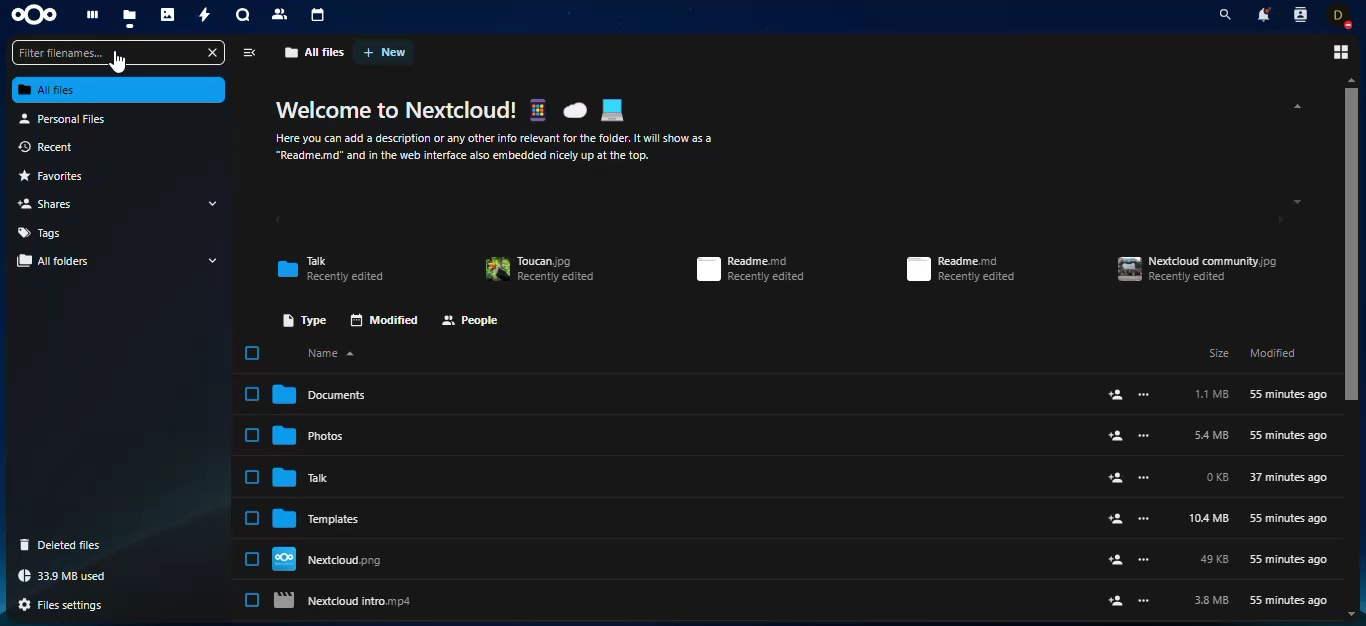 Image resolution: width=1366 pixels, height=626 pixels. Describe the element at coordinates (1351, 245) in the screenshot. I see `scroll bar` at that location.